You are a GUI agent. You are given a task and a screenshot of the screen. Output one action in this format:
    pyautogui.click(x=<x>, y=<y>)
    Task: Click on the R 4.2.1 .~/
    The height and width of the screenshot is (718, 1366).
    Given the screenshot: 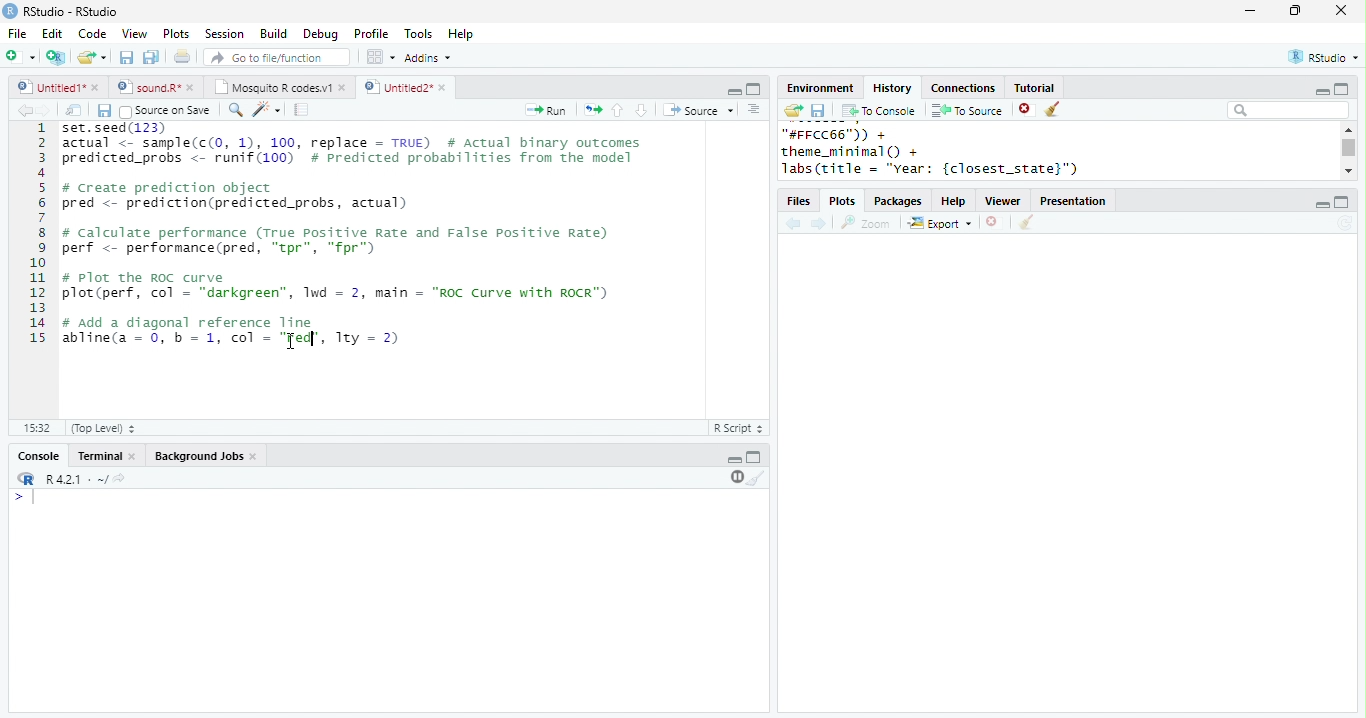 What is the action you would take?
    pyautogui.click(x=73, y=480)
    